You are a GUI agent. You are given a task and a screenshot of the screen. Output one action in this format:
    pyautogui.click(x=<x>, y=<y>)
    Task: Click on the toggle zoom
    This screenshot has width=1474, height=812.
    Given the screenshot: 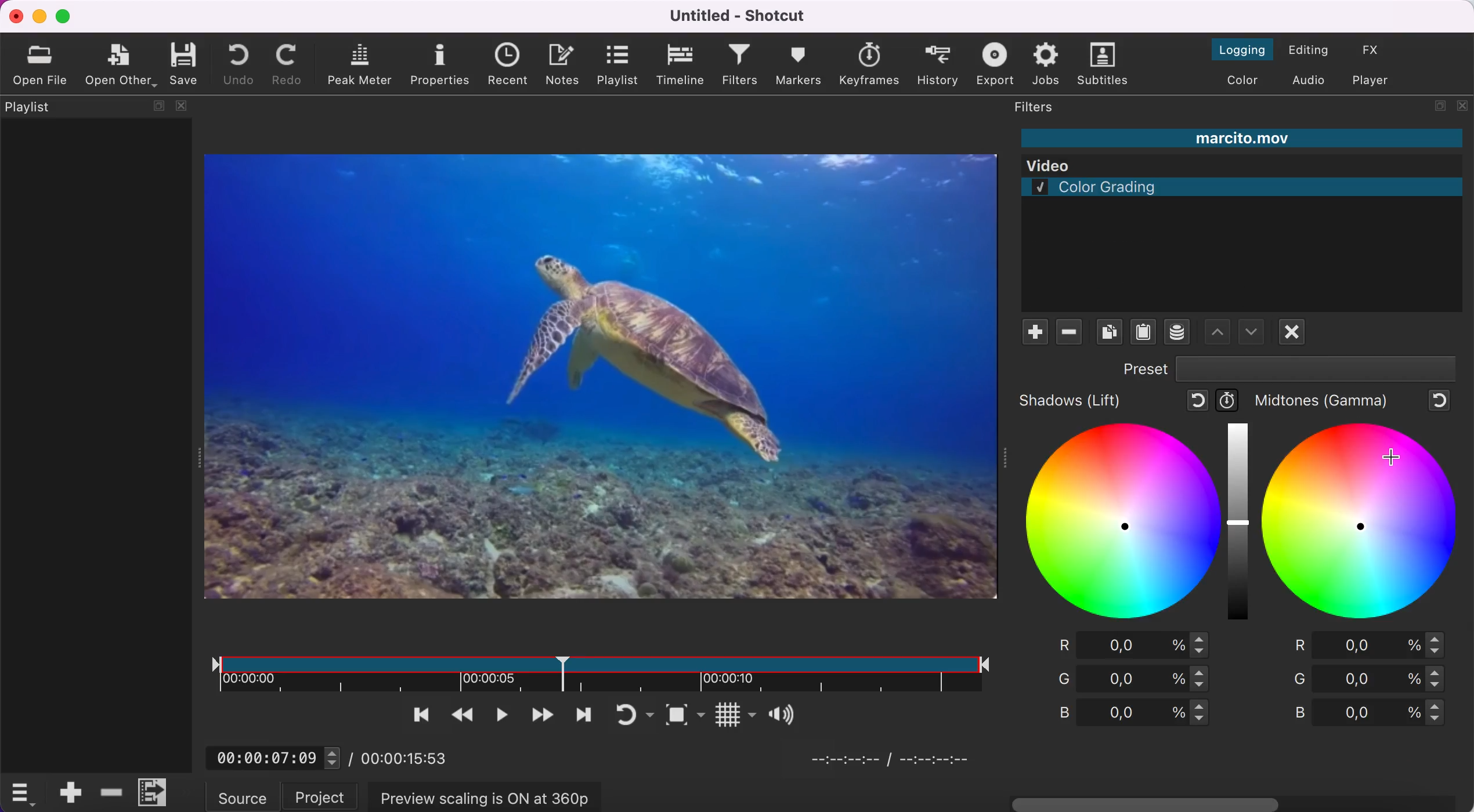 What is the action you would take?
    pyautogui.click(x=663, y=715)
    